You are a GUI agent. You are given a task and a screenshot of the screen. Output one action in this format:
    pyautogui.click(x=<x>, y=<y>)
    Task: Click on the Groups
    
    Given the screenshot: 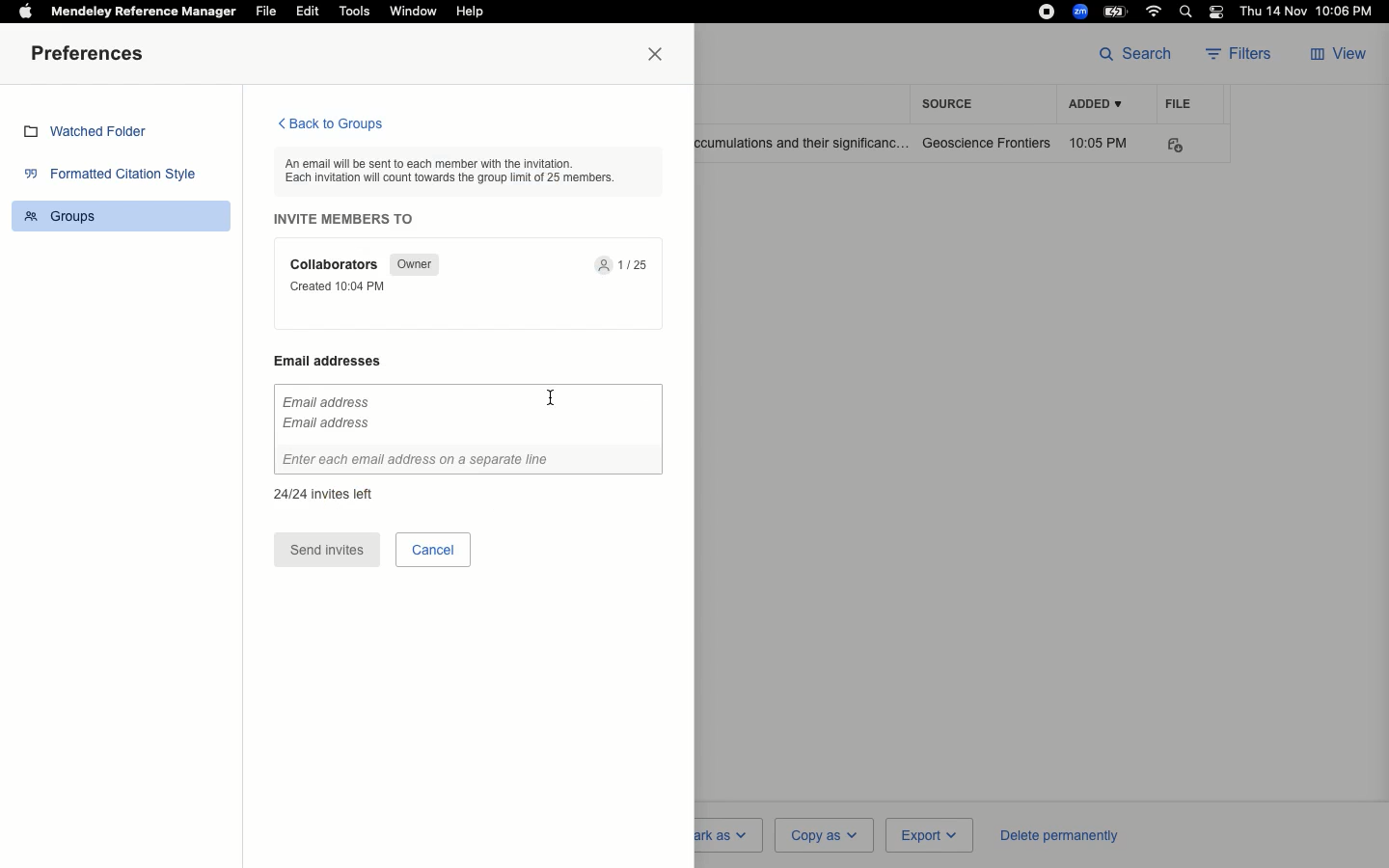 What is the action you would take?
    pyautogui.click(x=124, y=214)
    